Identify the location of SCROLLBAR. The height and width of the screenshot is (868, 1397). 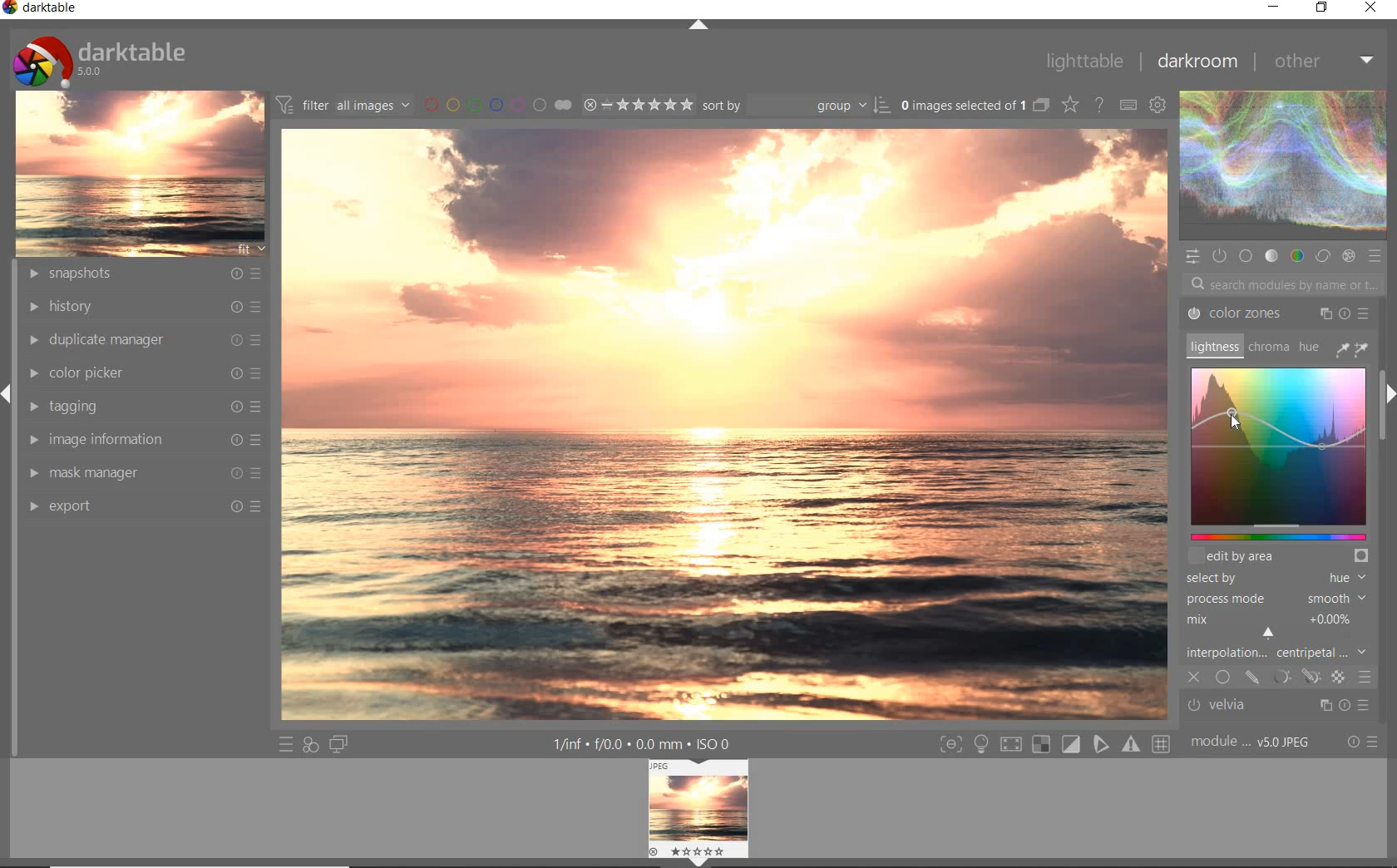
(1385, 338).